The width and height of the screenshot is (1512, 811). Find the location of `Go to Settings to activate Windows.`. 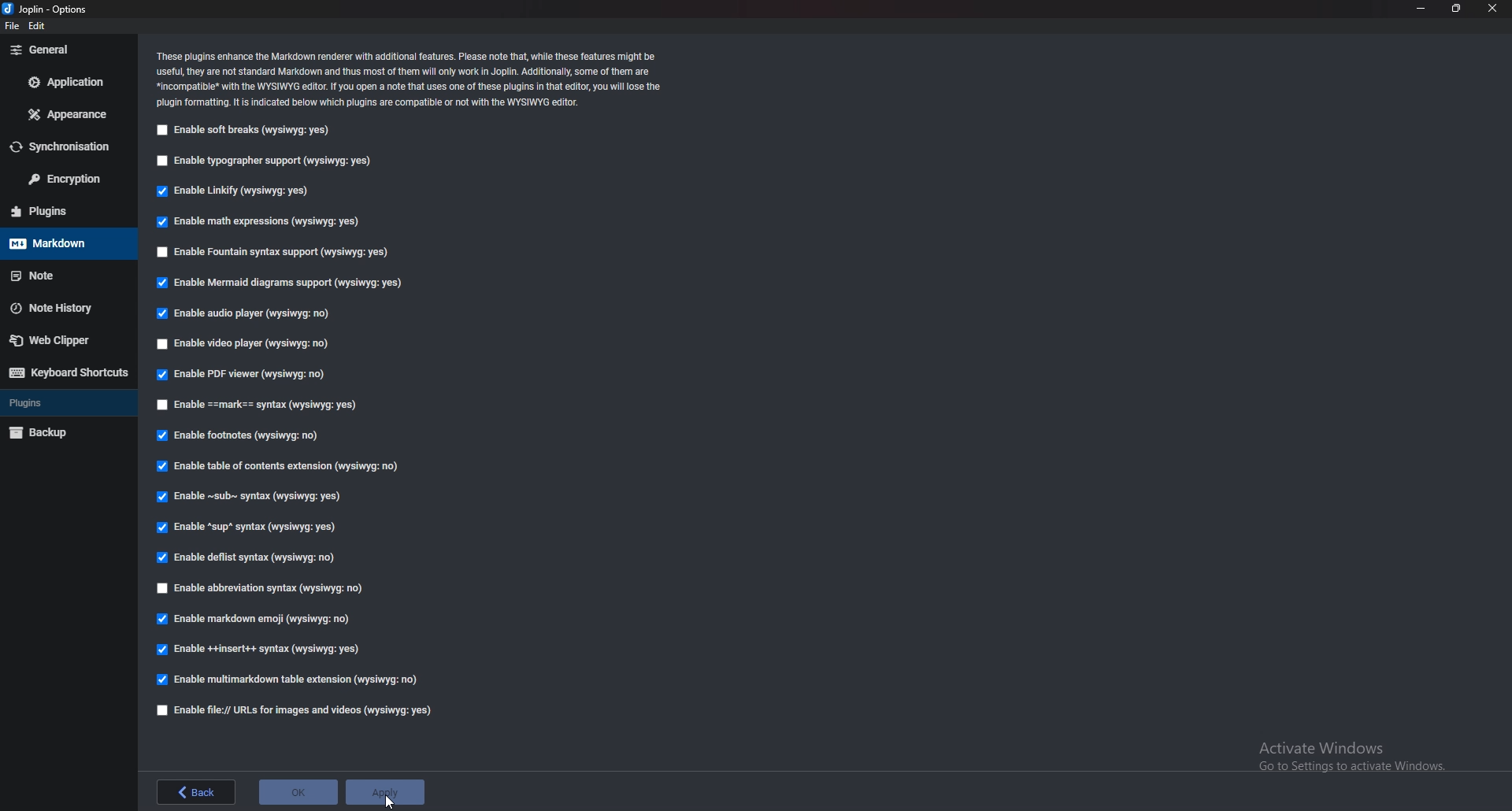

Go to Settings to activate Windows. is located at coordinates (1348, 768).